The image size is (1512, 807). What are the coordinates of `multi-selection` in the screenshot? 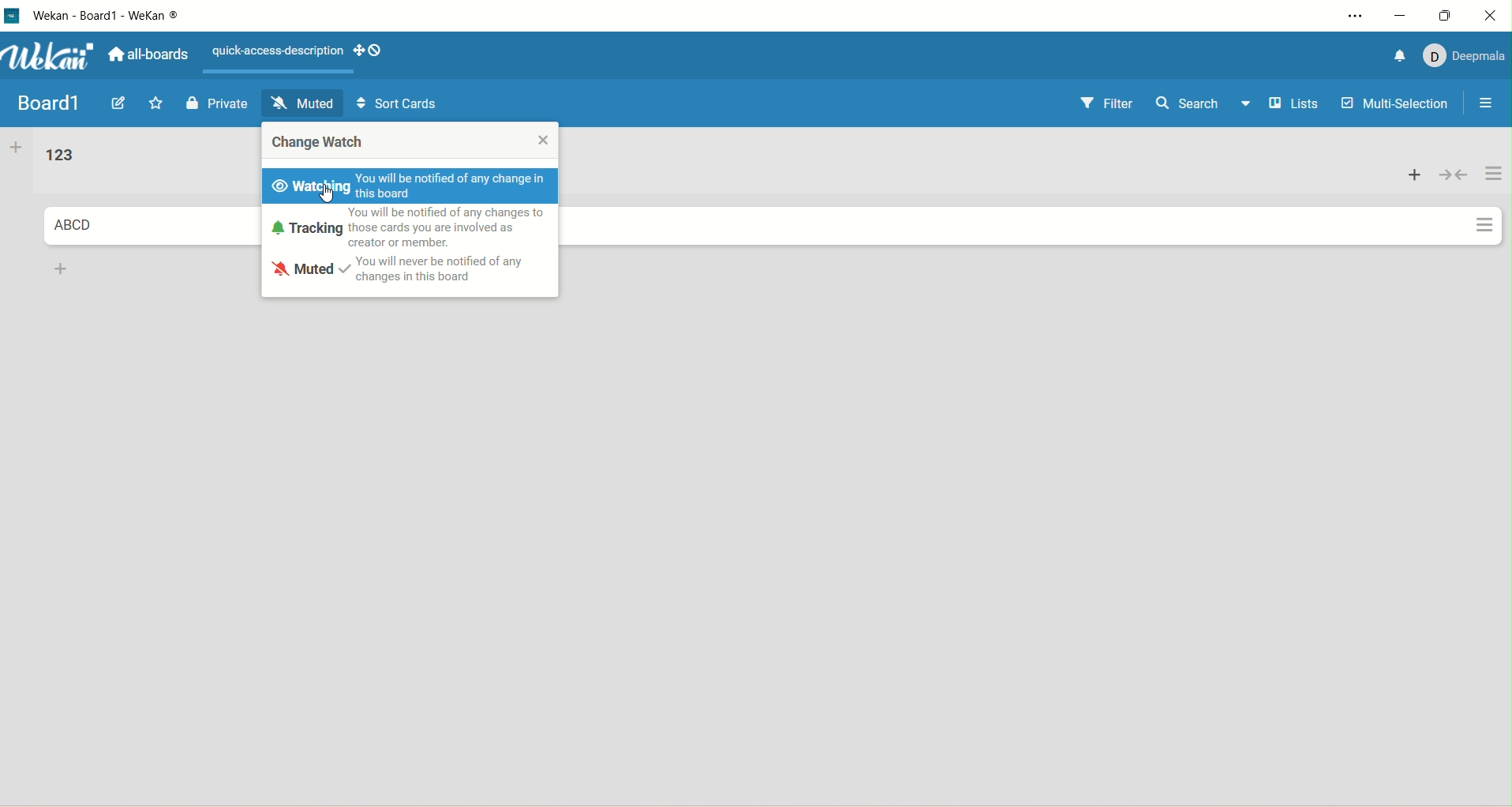 It's located at (1396, 106).